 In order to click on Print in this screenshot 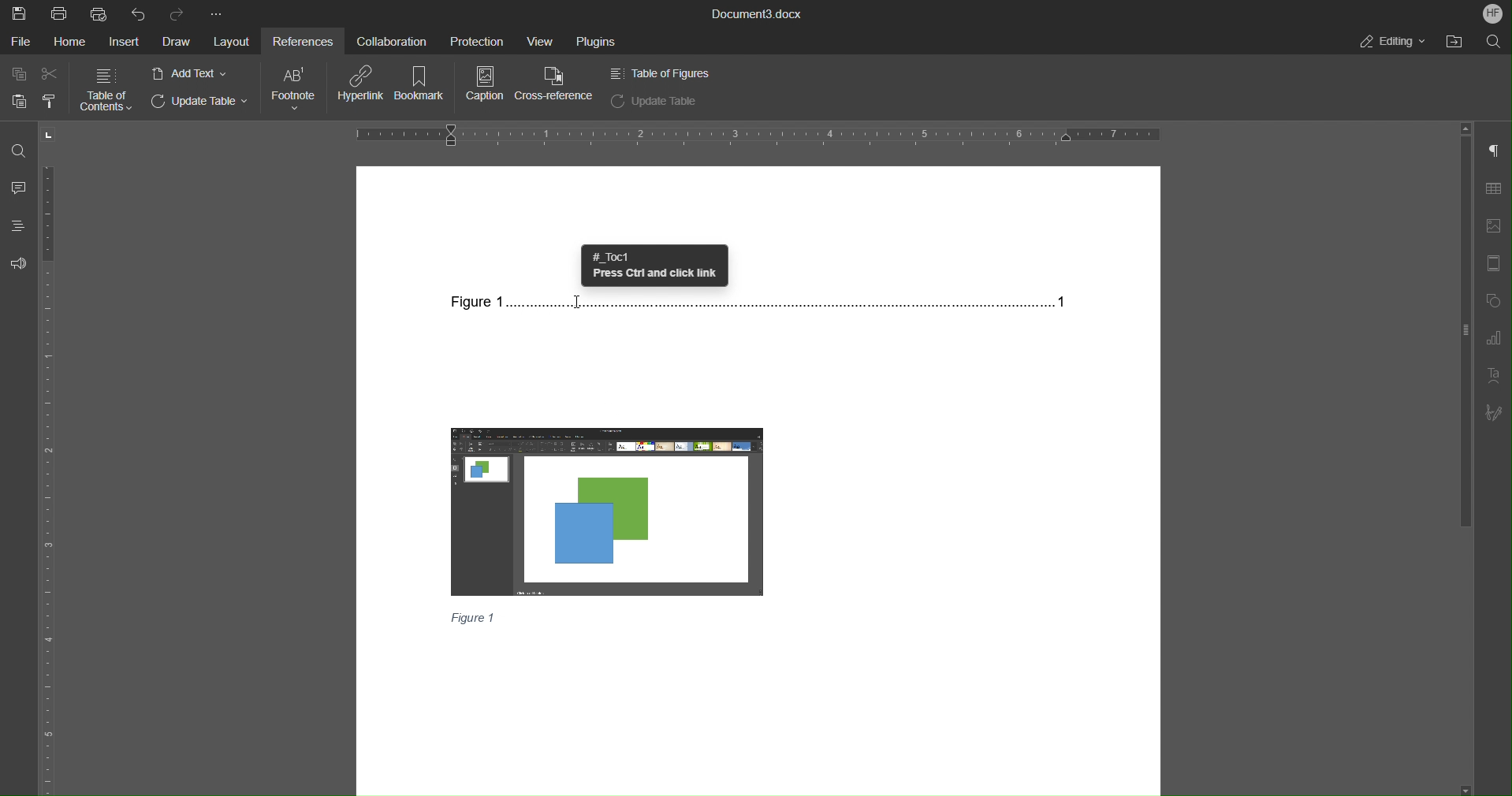, I will do `click(60, 13)`.